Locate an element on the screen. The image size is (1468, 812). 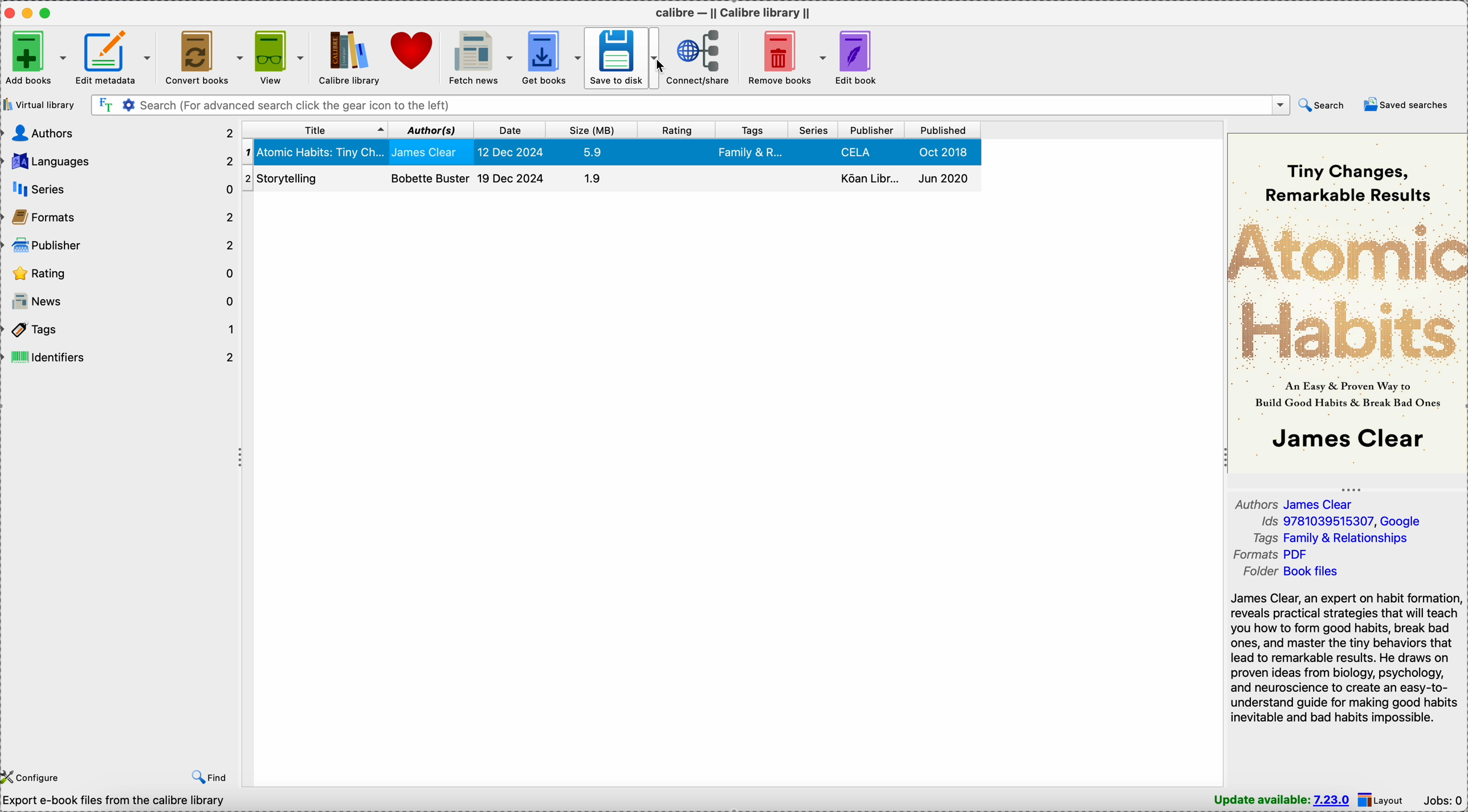
remove books is located at coordinates (784, 56).